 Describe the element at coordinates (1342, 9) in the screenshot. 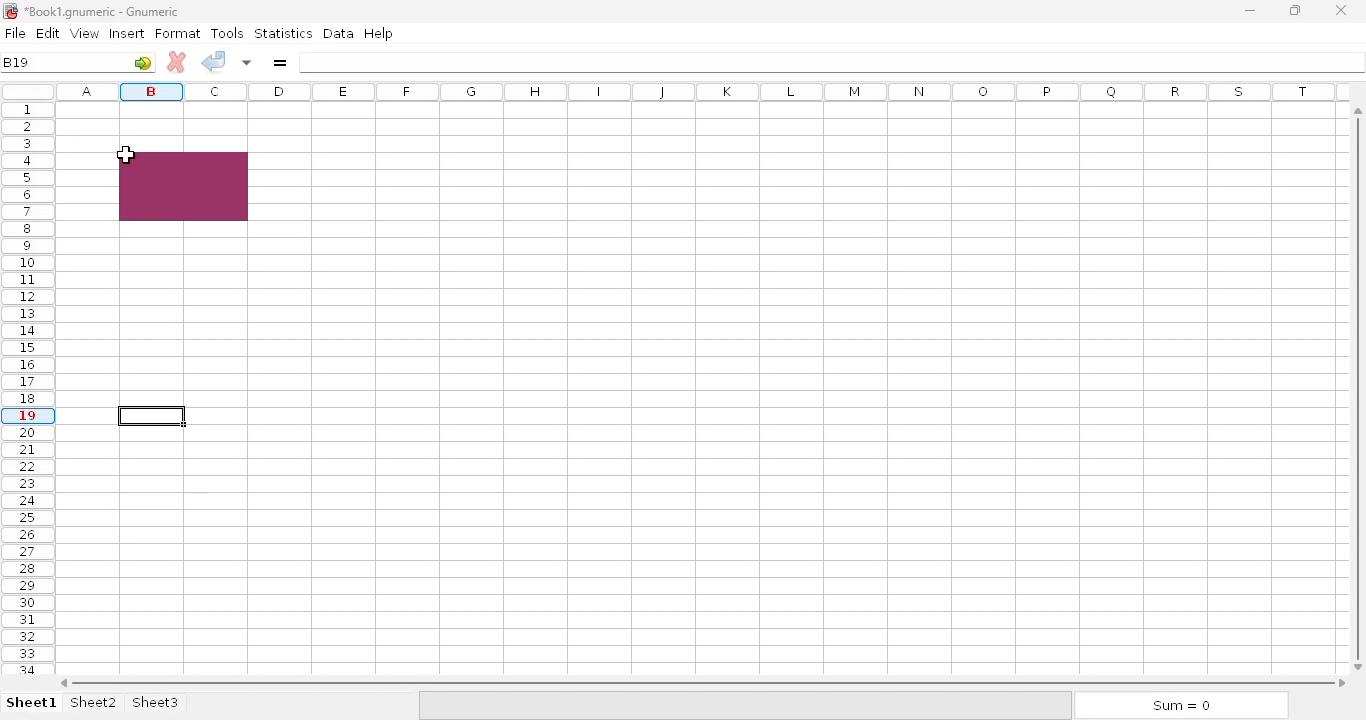

I see `close` at that location.